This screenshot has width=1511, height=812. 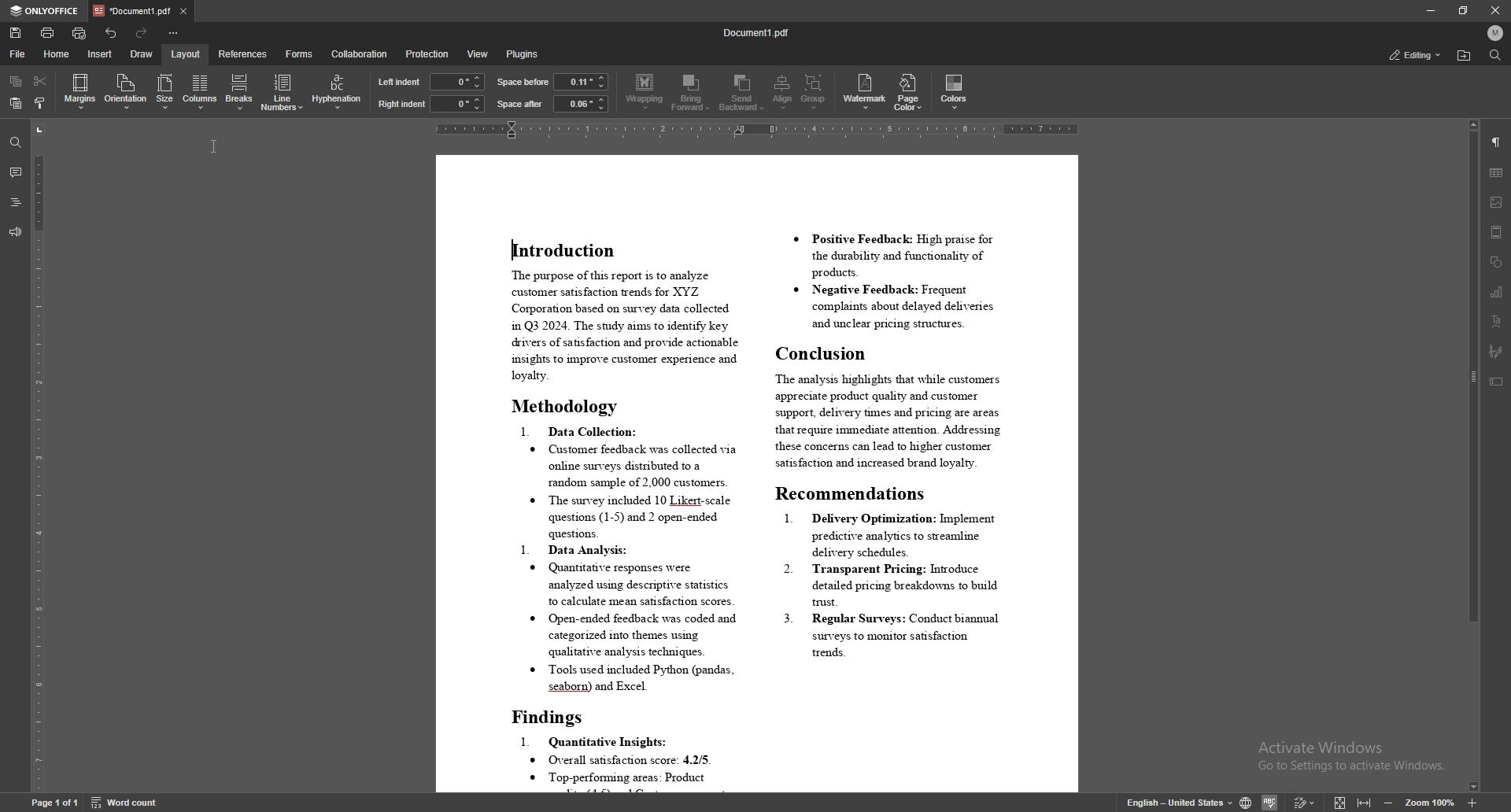 What do you see at coordinates (519, 105) in the screenshot?
I see `space after` at bounding box center [519, 105].